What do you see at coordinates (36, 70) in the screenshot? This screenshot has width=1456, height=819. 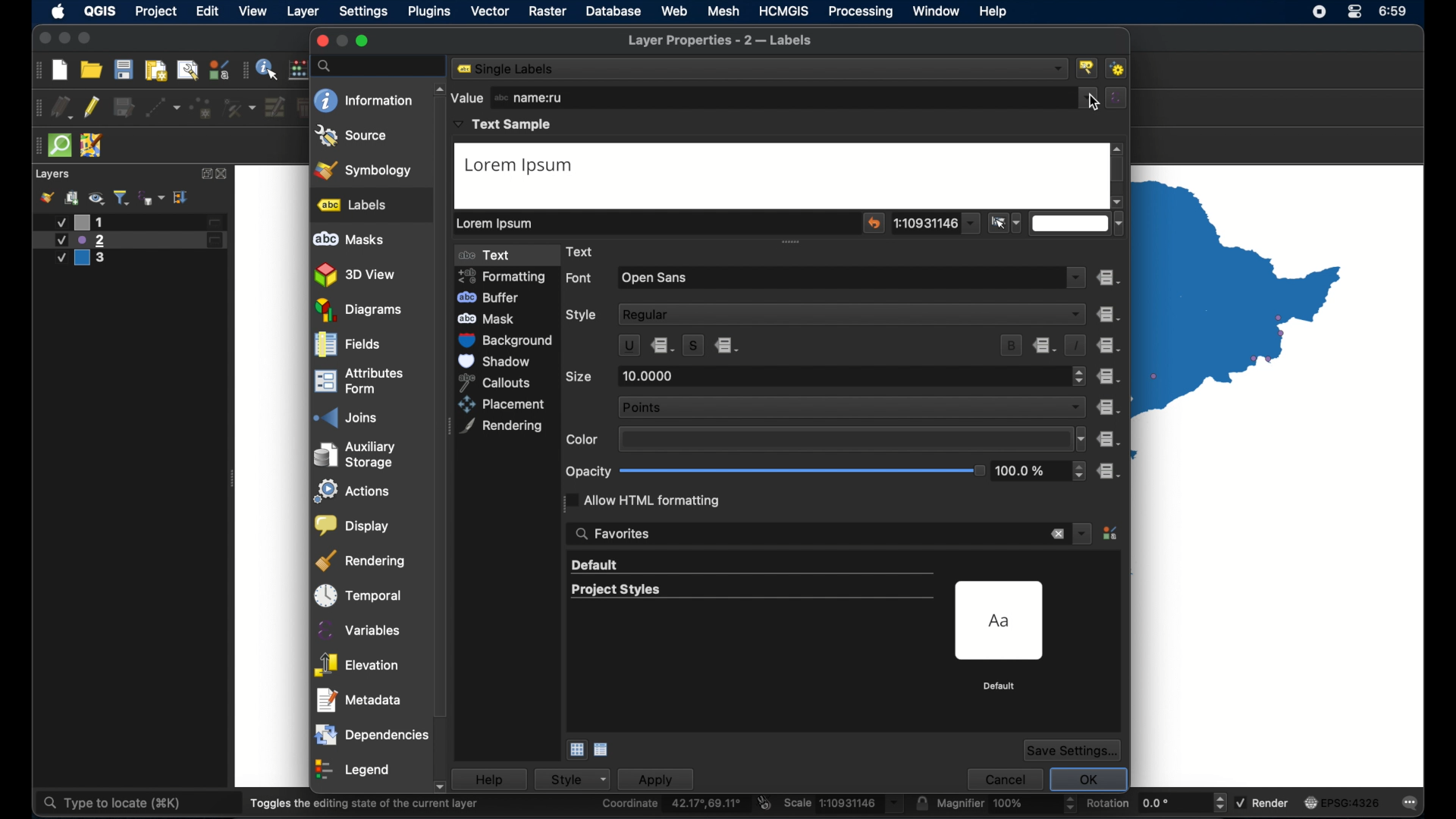 I see `drag handle` at bounding box center [36, 70].